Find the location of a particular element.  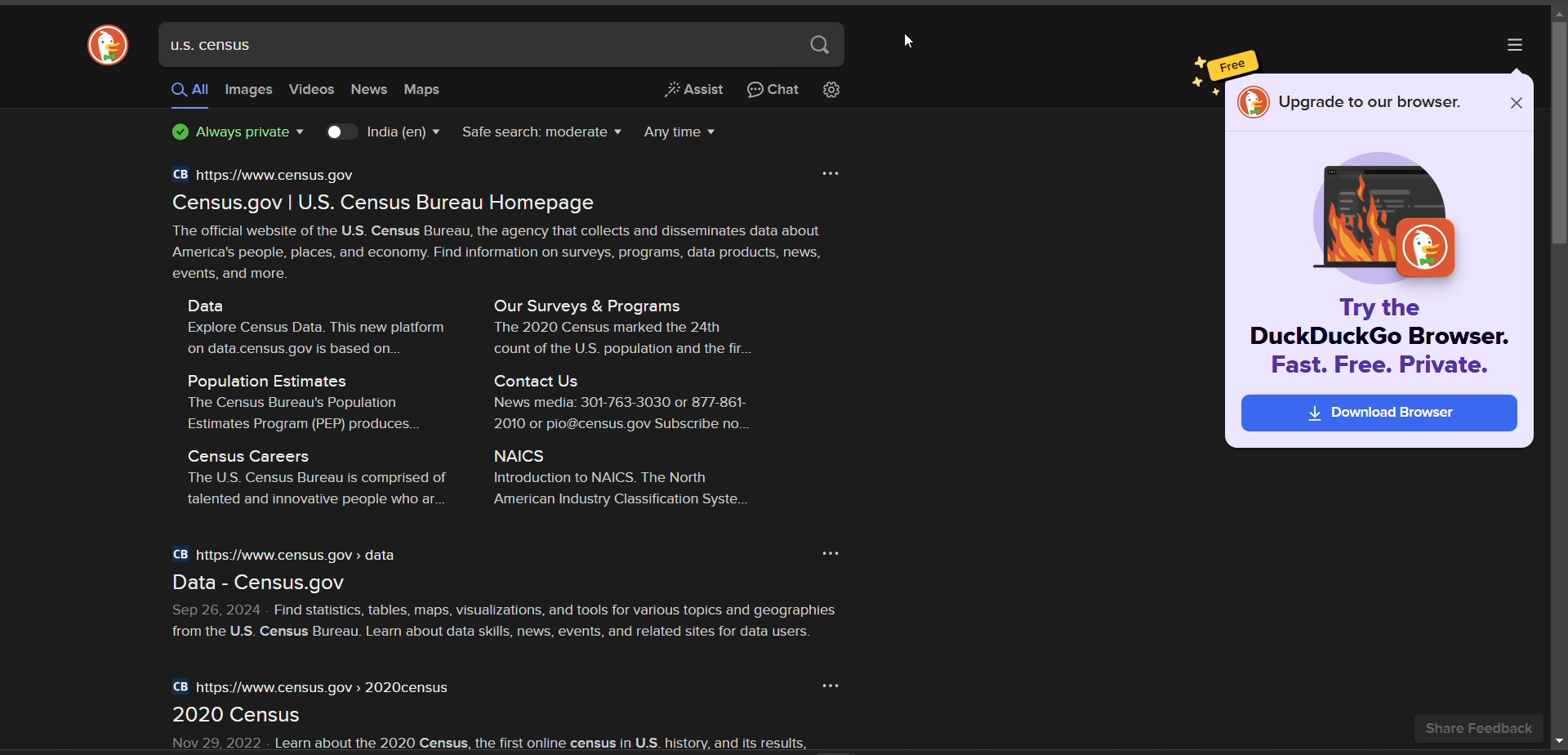

site options is located at coordinates (832, 685).